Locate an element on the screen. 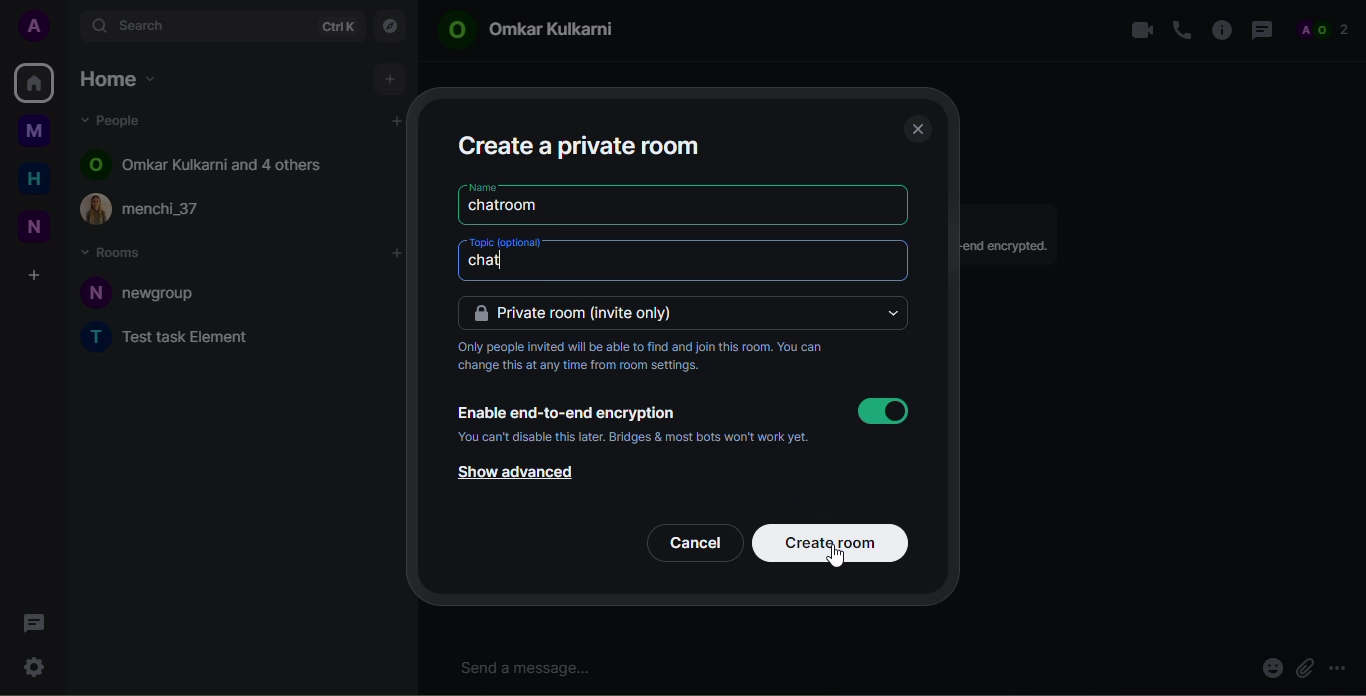  add is located at coordinates (390, 78).